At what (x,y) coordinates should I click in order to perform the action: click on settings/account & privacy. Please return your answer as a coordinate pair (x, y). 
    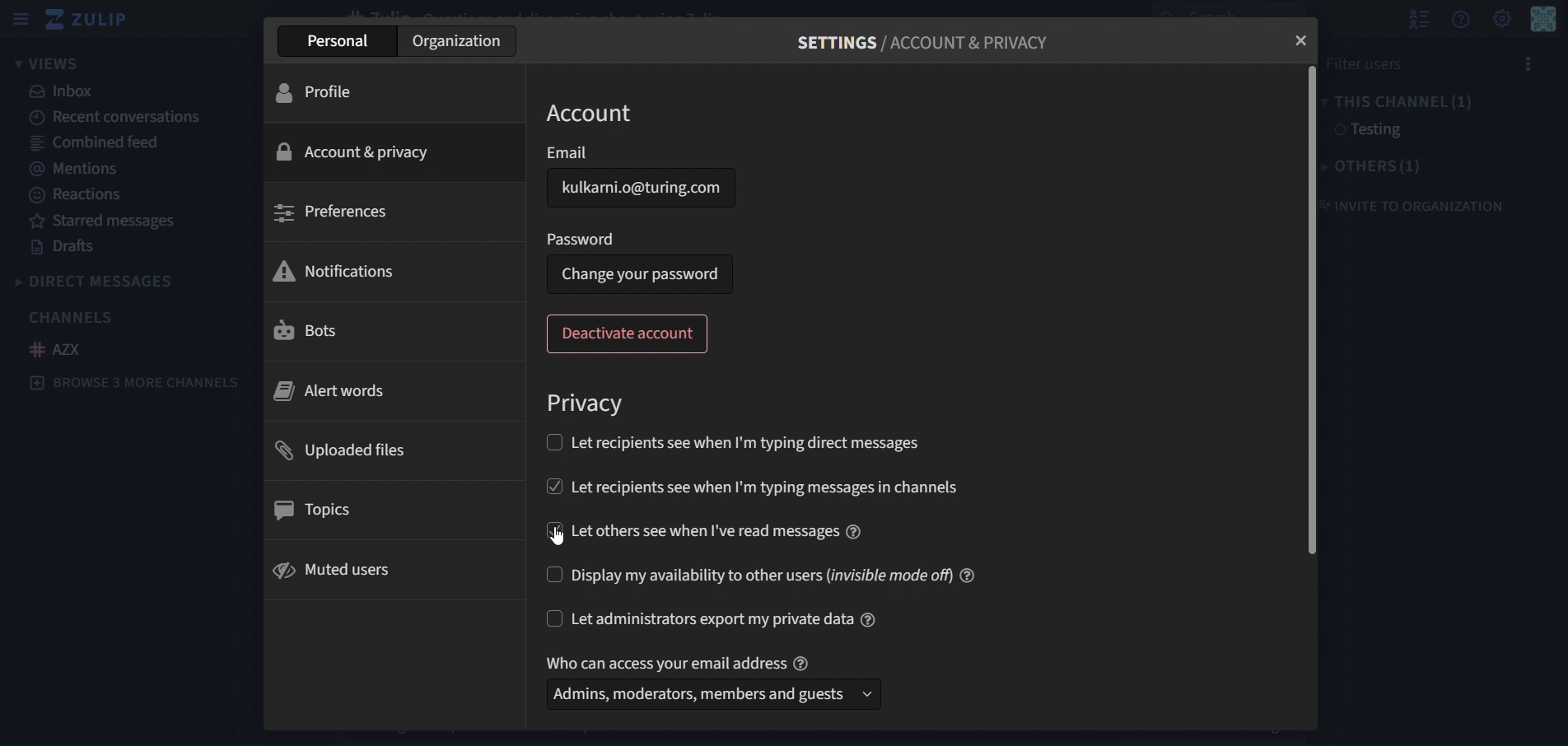
    Looking at the image, I should click on (919, 45).